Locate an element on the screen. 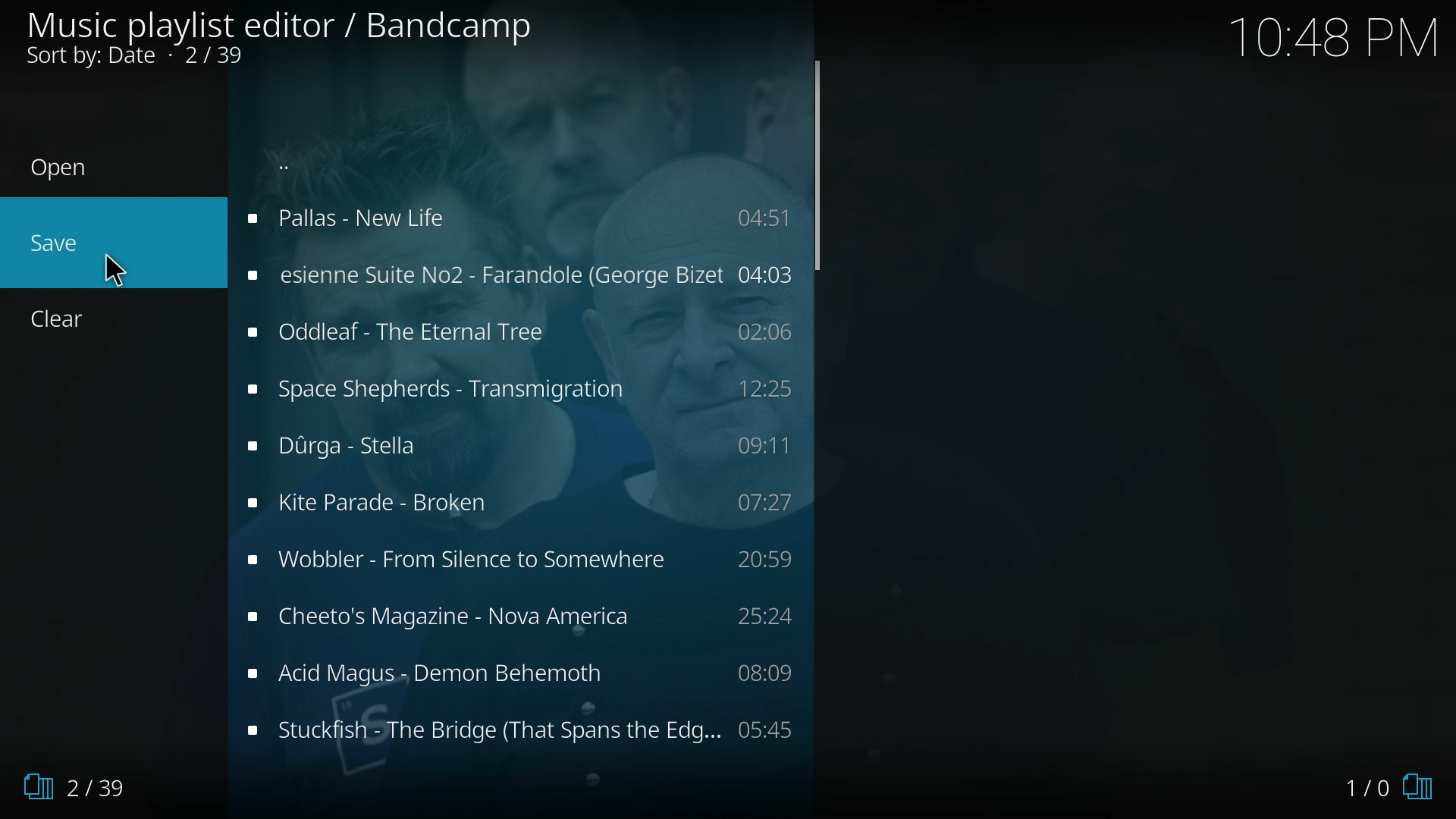 The width and height of the screenshot is (1456, 819). Clear is located at coordinates (77, 321).